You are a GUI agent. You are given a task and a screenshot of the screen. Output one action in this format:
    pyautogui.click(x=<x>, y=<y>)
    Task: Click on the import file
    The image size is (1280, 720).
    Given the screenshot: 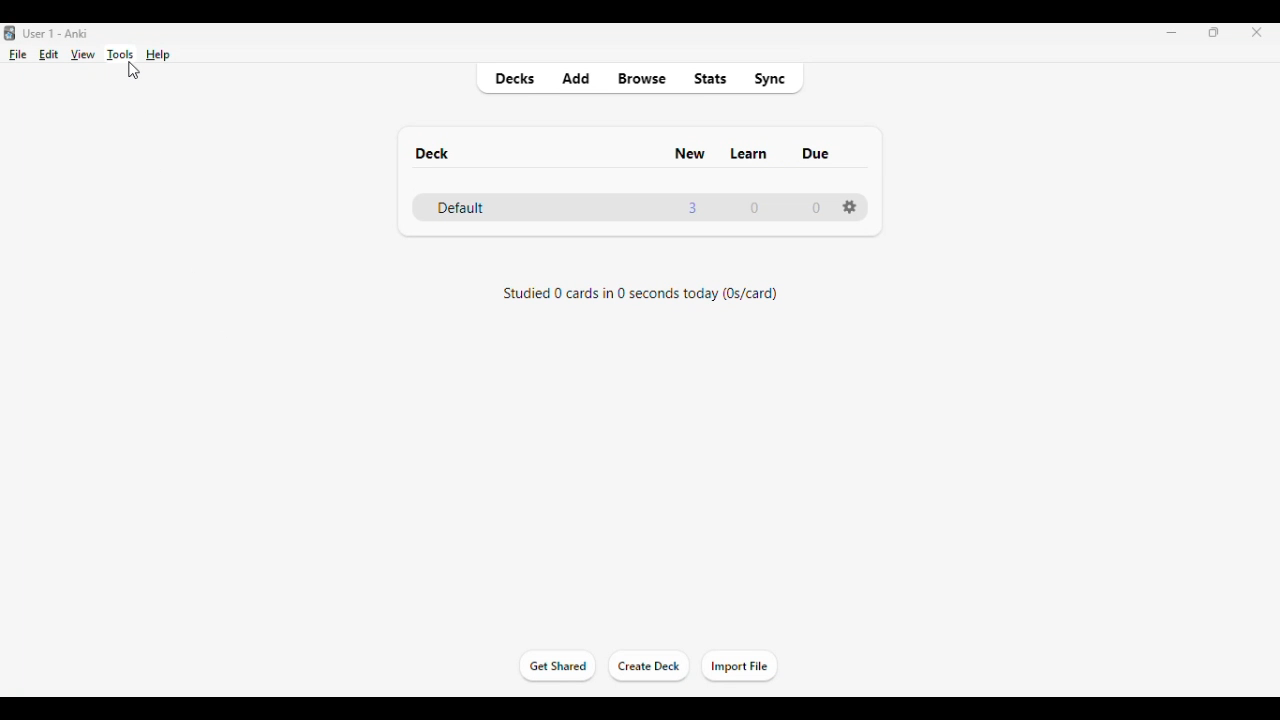 What is the action you would take?
    pyautogui.click(x=739, y=667)
    